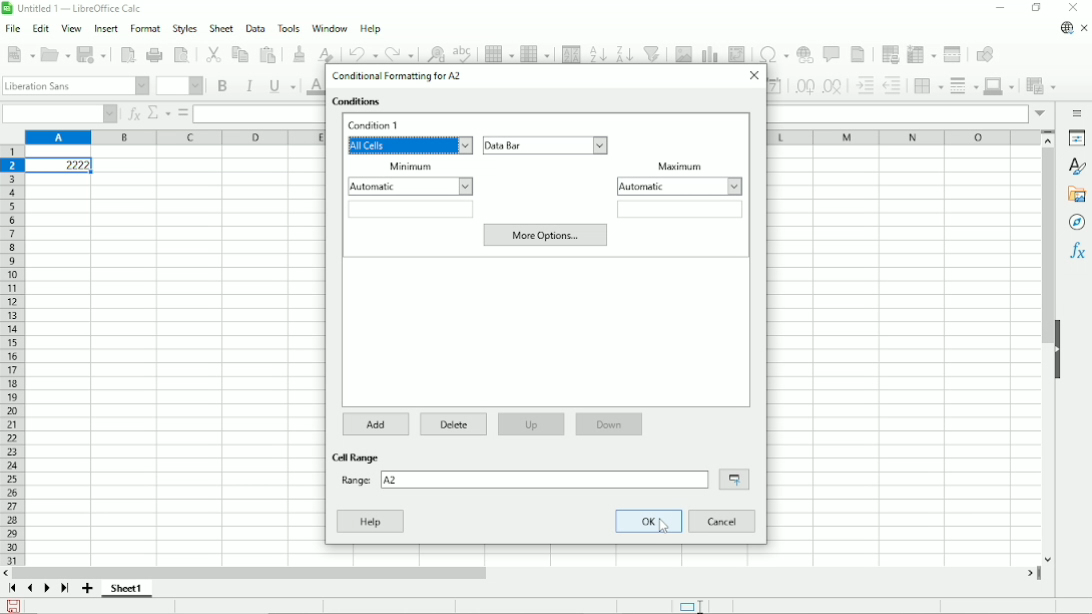 This screenshot has height=614, width=1092. Describe the element at coordinates (59, 114) in the screenshot. I see `Current cell` at that location.